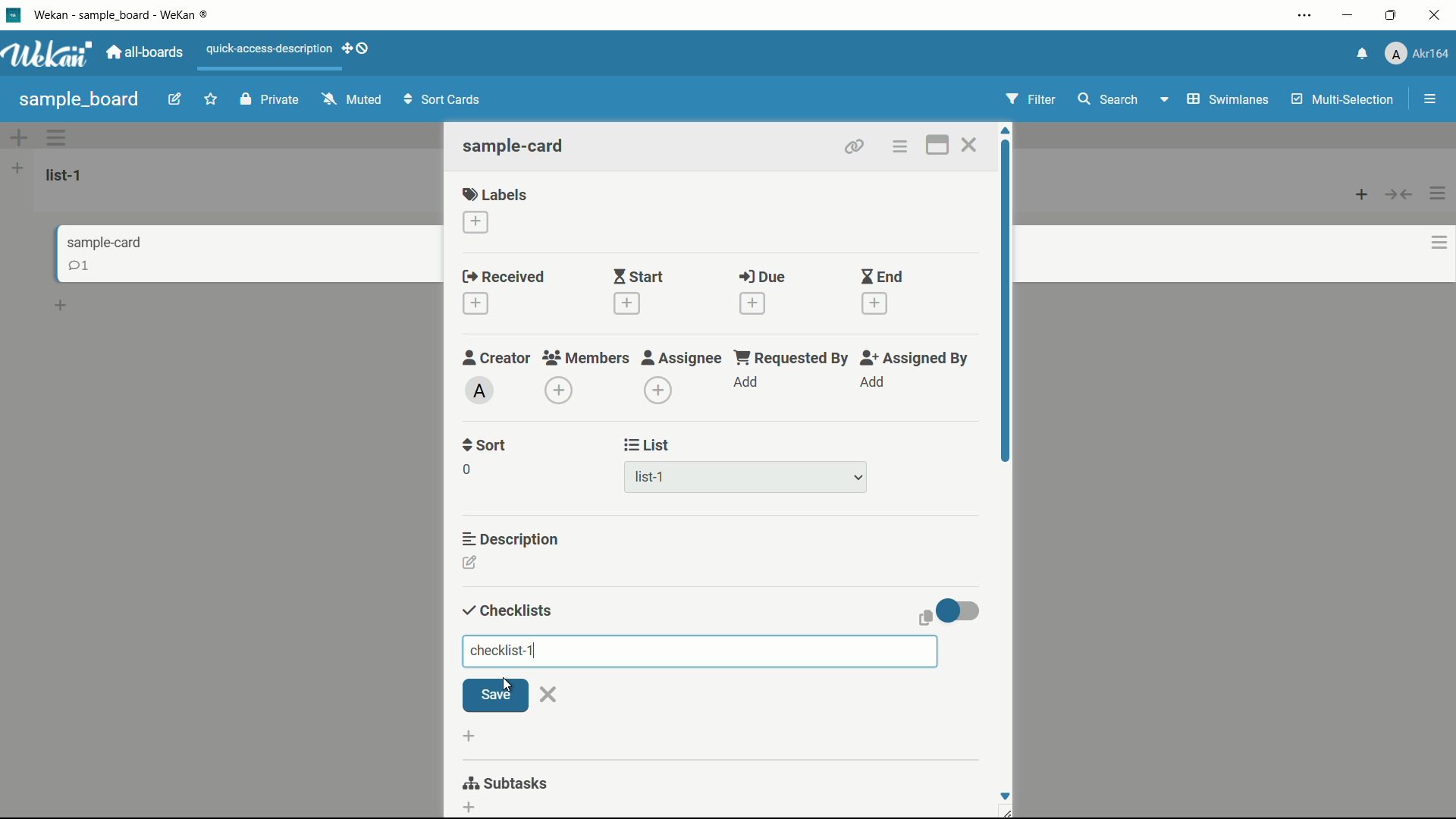 This screenshot has width=1456, height=819. I want to click on Scroll down, so click(1005, 795).